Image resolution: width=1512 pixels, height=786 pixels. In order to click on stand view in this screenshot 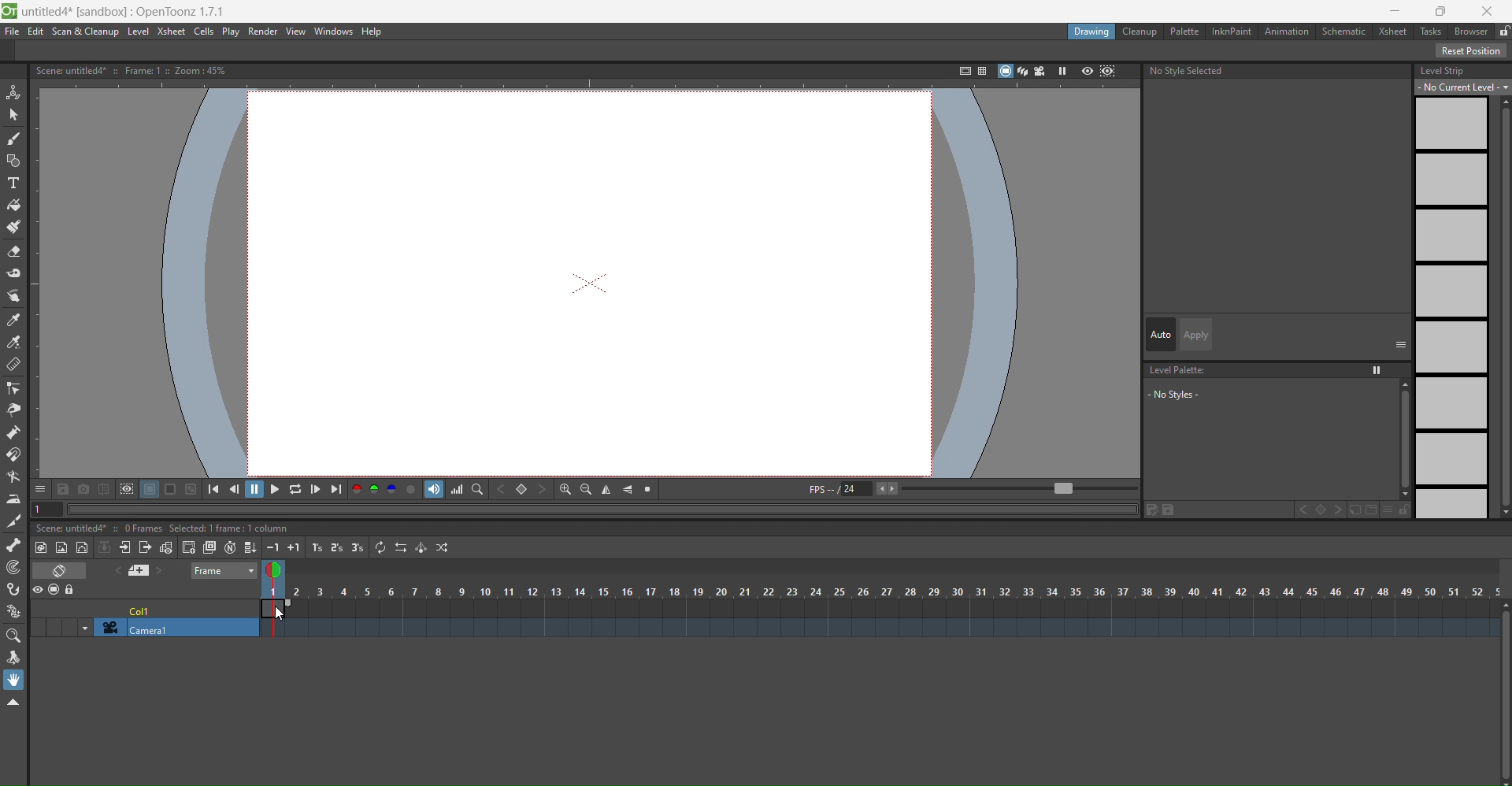, I will do `click(1012, 72)`.